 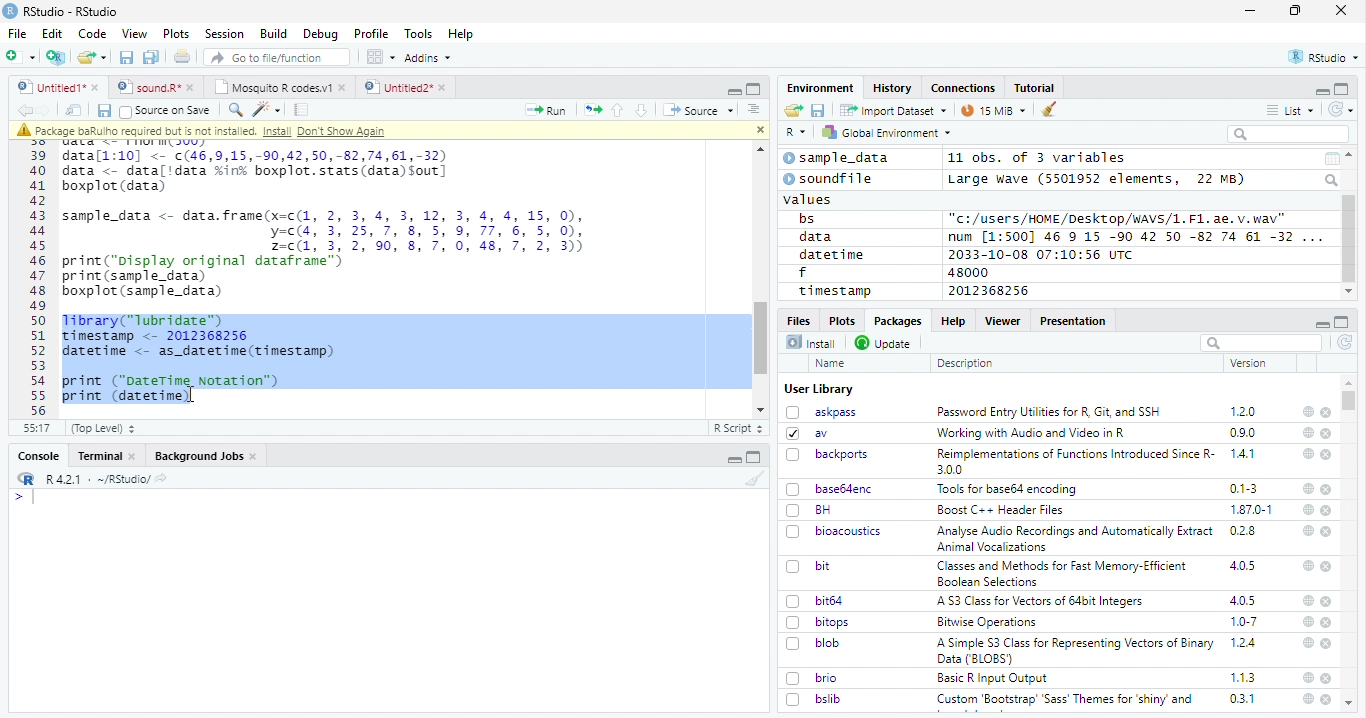 What do you see at coordinates (1321, 322) in the screenshot?
I see `minimize` at bounding box center [1321, 322].